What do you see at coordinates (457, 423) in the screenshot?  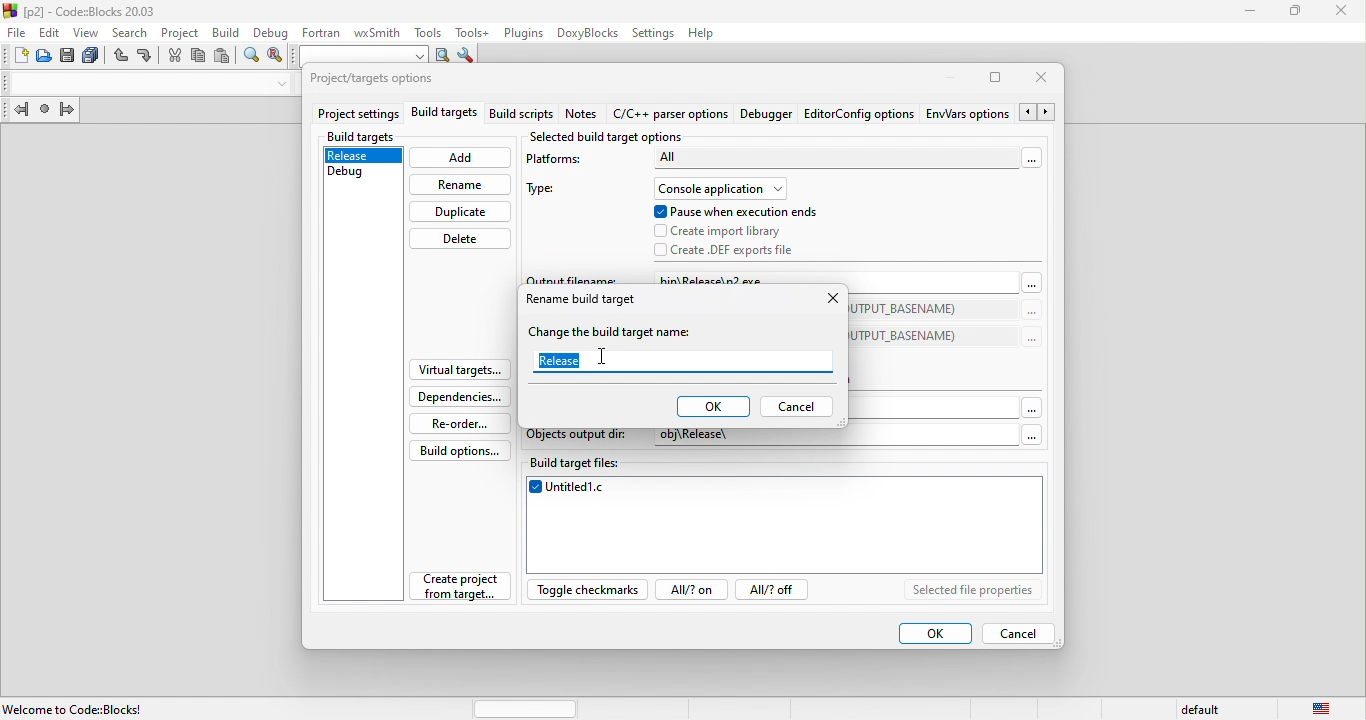 I see `re order` at bounding box center [457, 423].